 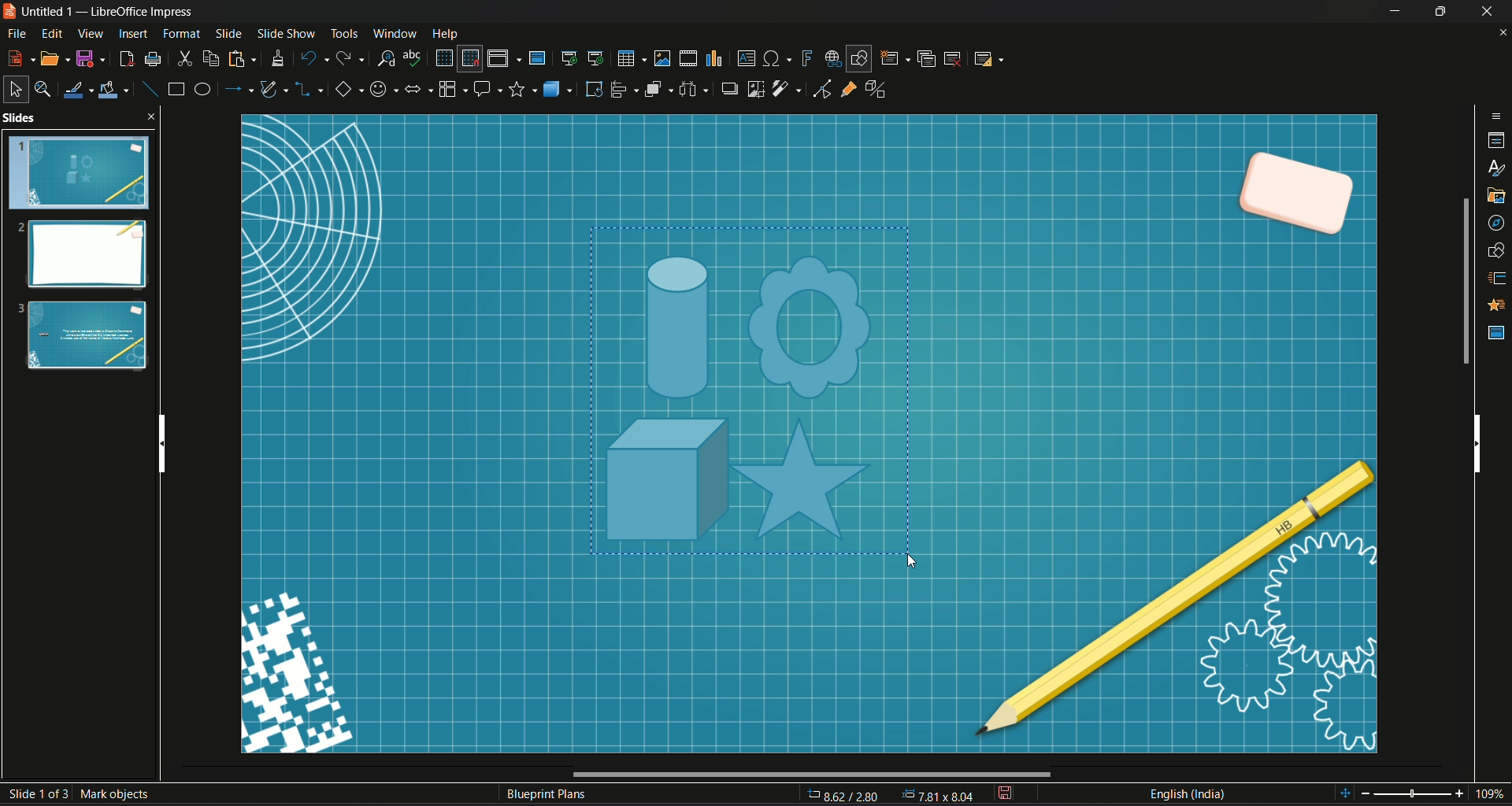 I want to click on flowchart, so click(x=451, y=89).